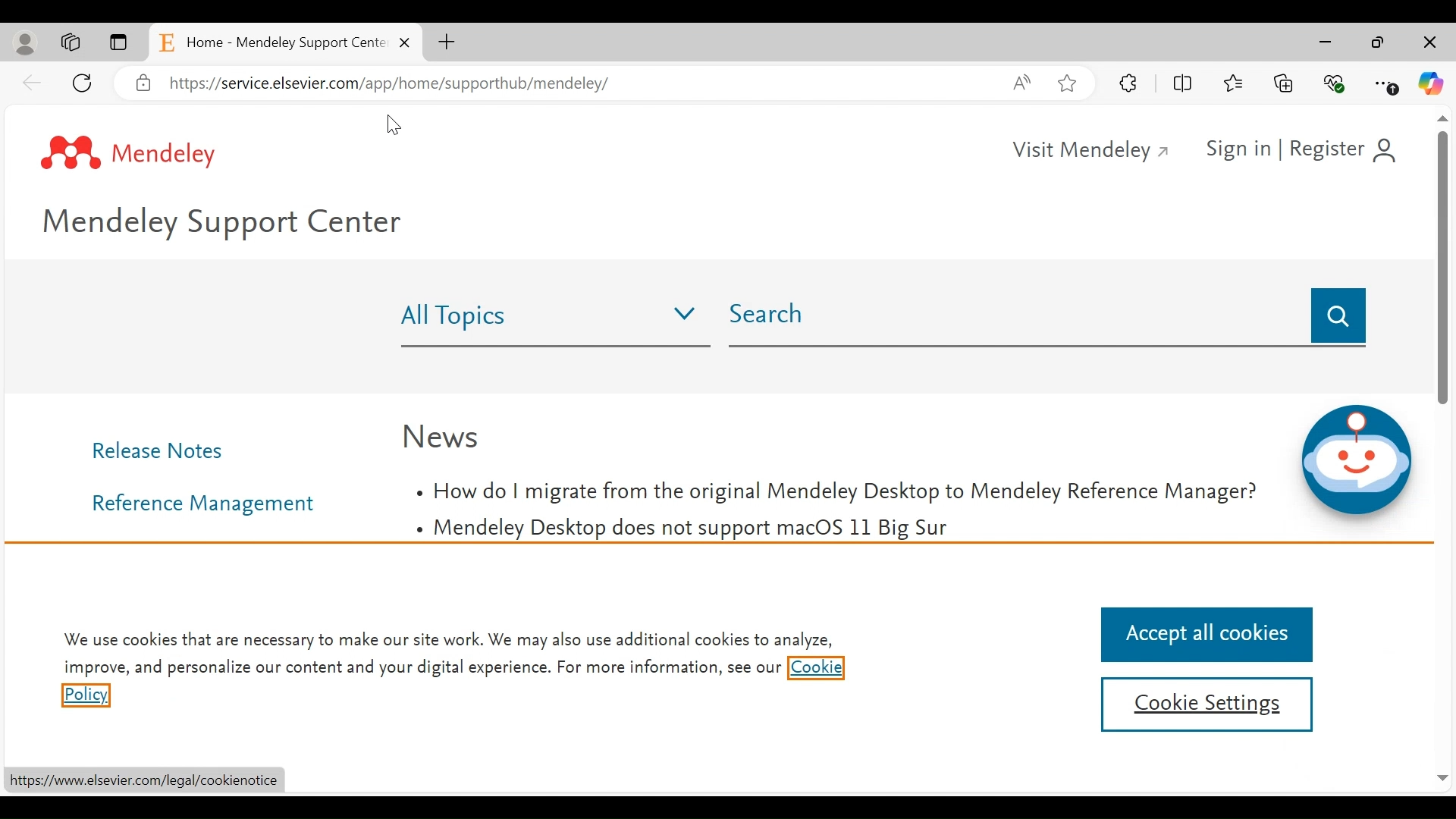  Describe the element at coordinates (286, 42) in the screenshot. I see `Current Tab` at that location.